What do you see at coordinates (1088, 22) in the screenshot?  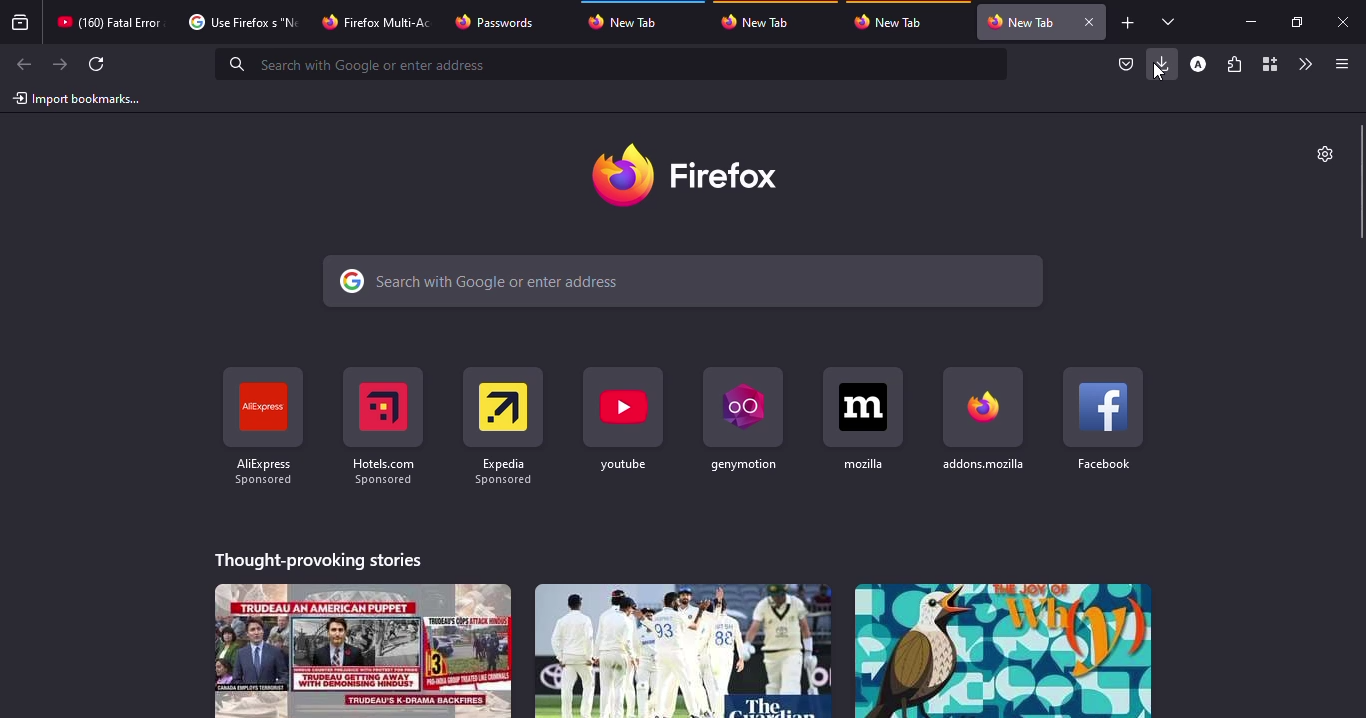 I see `close` at bounding box center [1088, 22].